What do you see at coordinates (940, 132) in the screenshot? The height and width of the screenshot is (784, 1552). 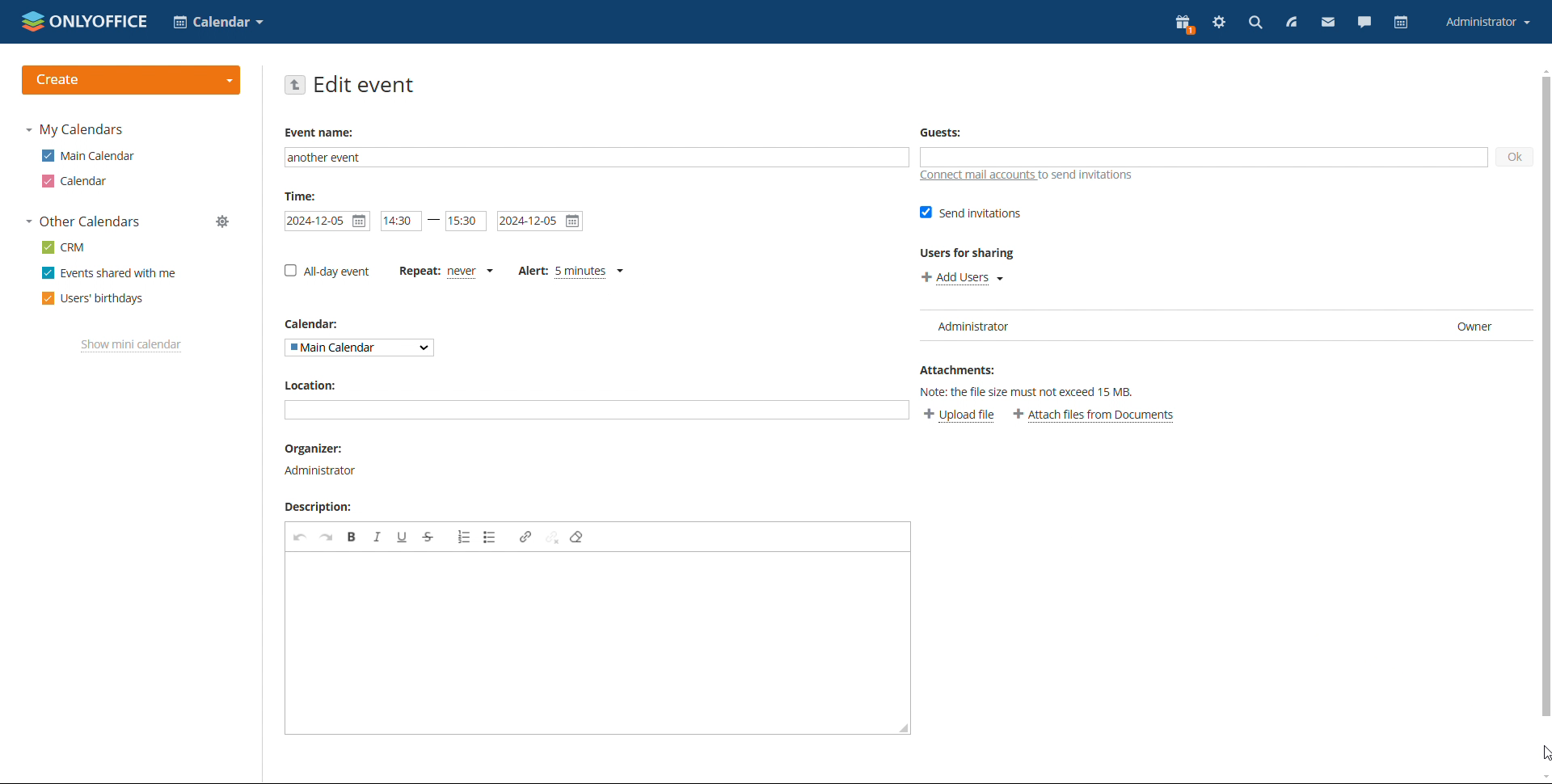 I see `Guests:` at bounding box center [940, 132].